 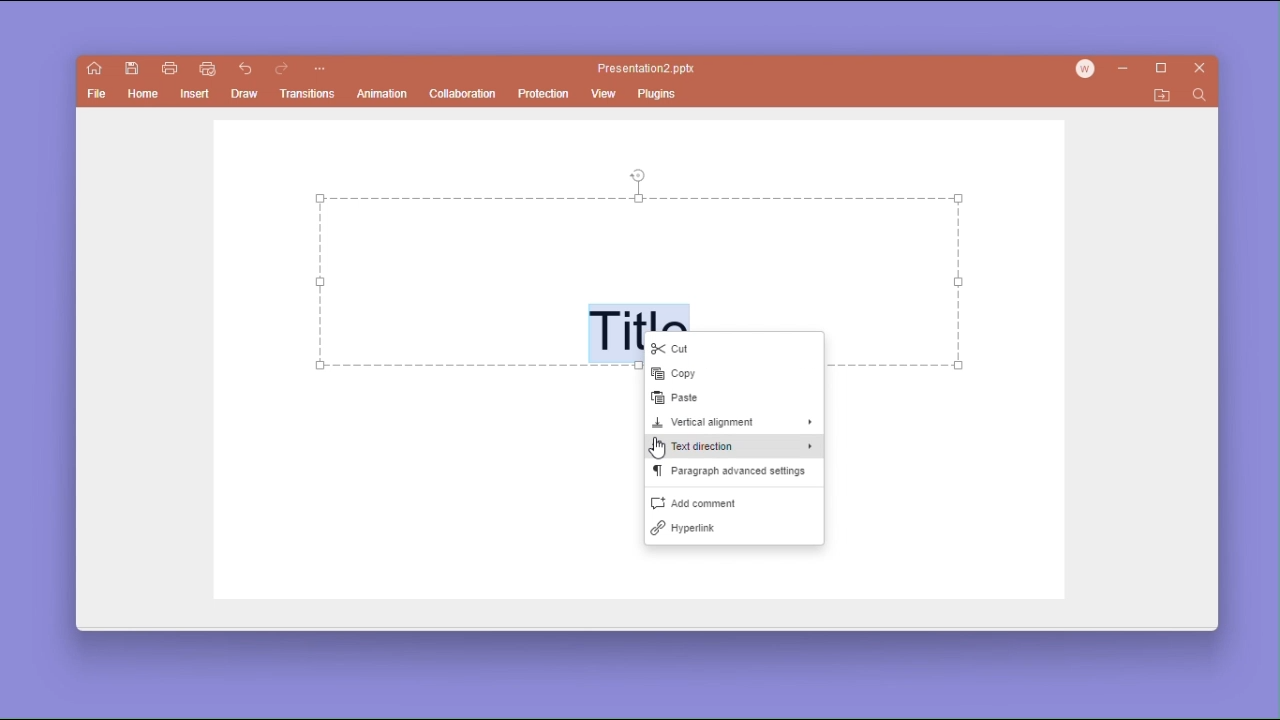 I want to click on draw, so click(x=246, y=94).